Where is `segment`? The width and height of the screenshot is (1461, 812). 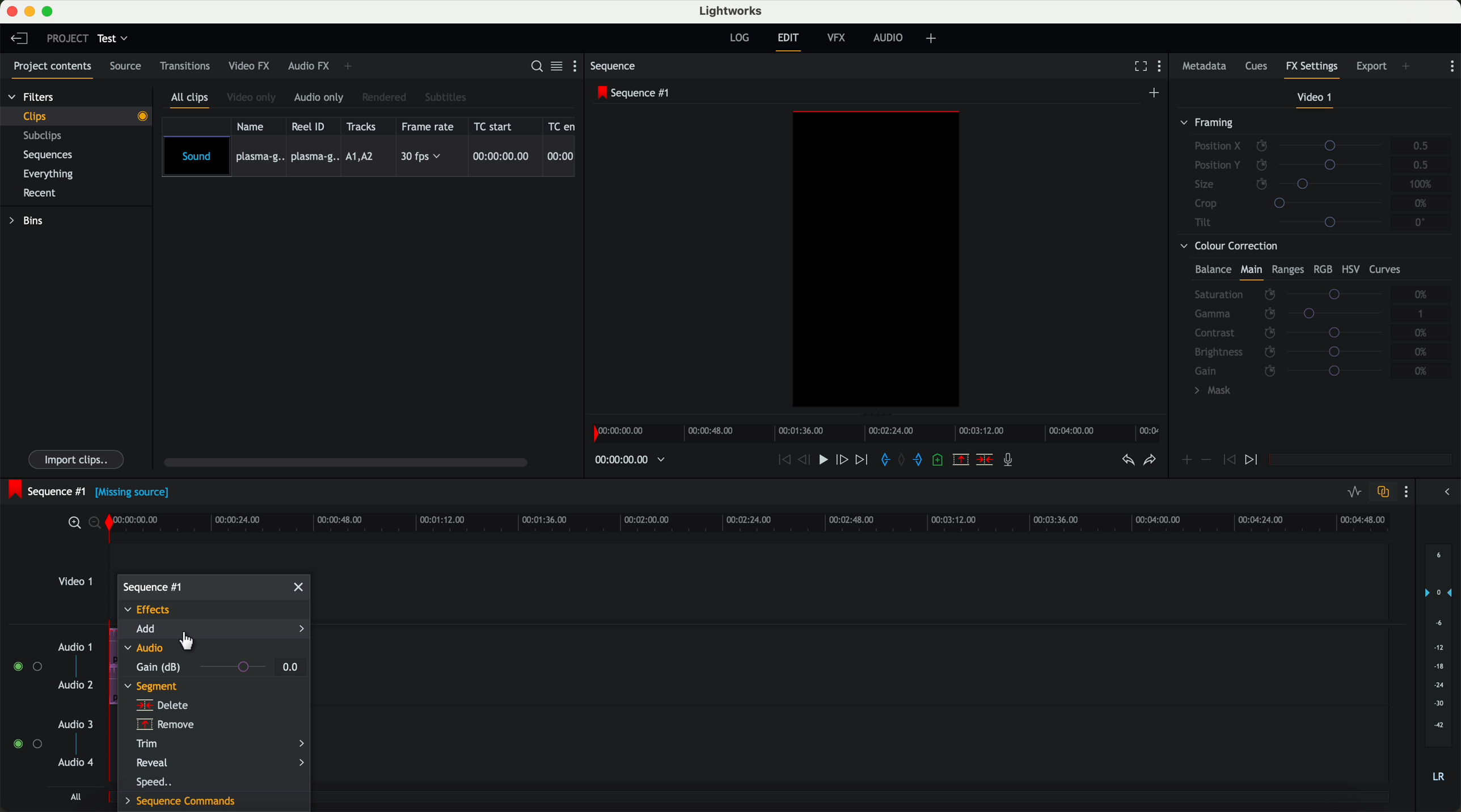 segment is located at coordinates (152, 687).